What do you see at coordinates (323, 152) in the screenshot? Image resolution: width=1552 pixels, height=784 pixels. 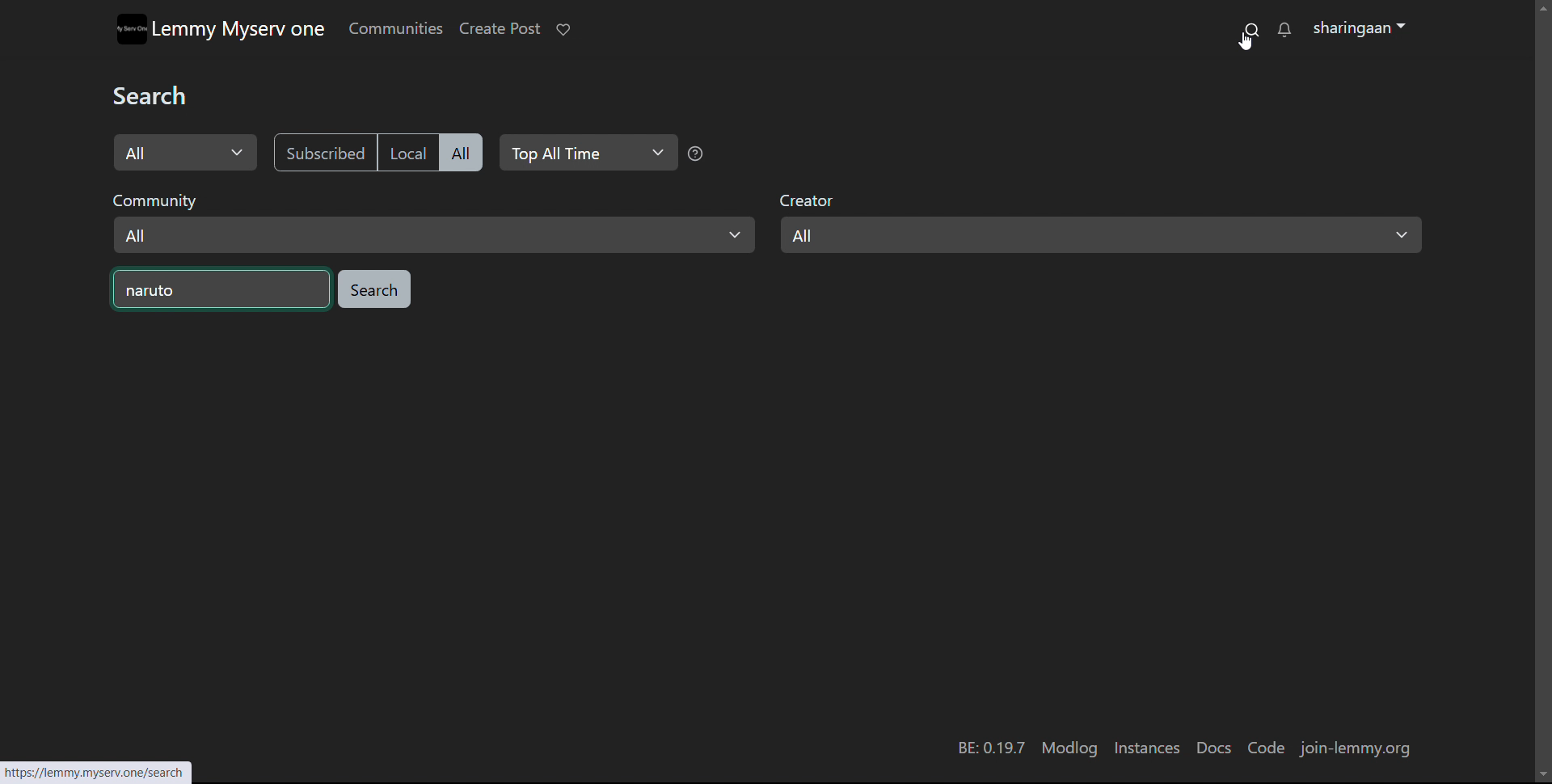 I see `subscribed` at bounding box center [323, 152].